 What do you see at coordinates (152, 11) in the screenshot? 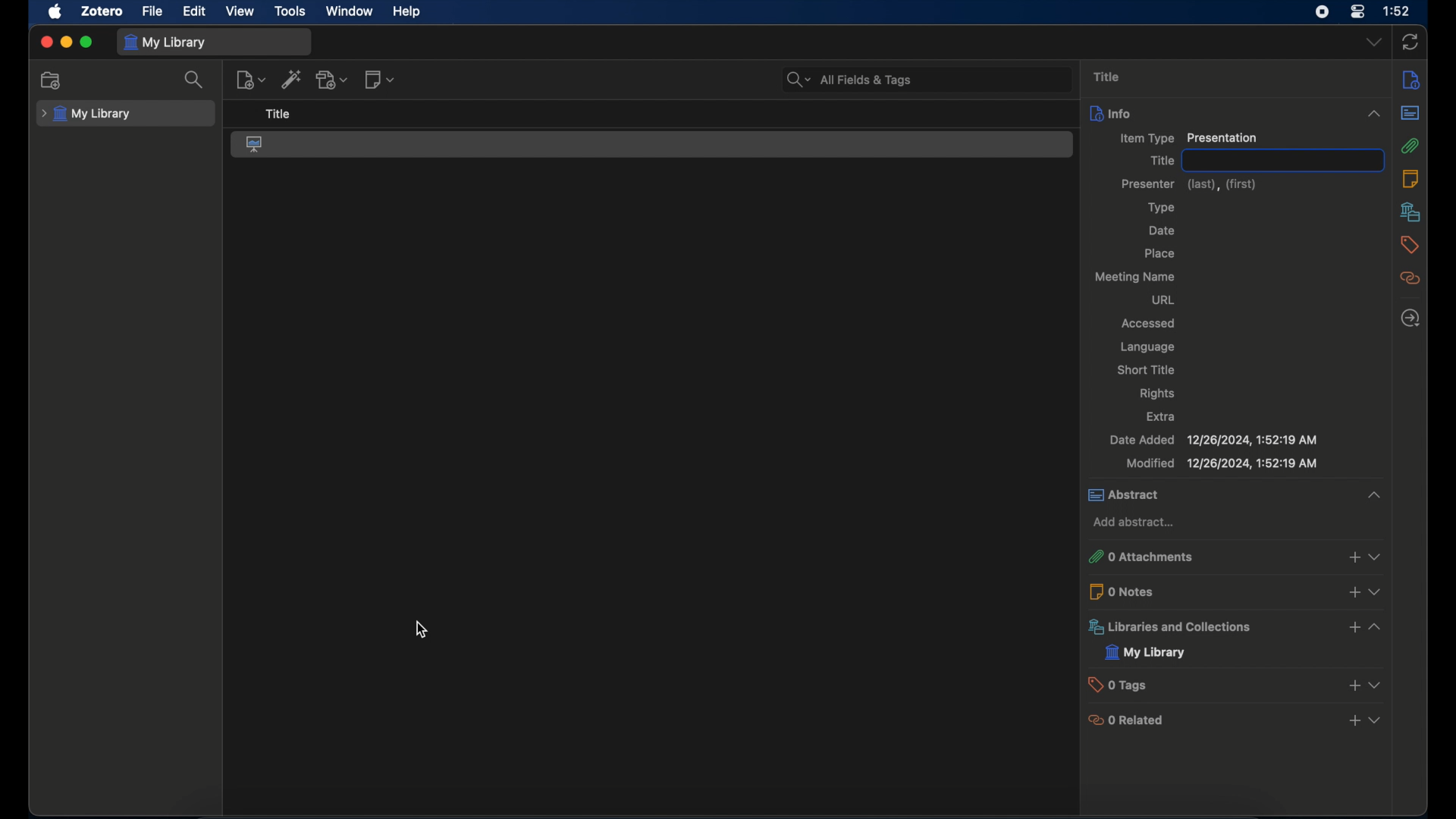
I see `file` at bounding box center [152, 11].